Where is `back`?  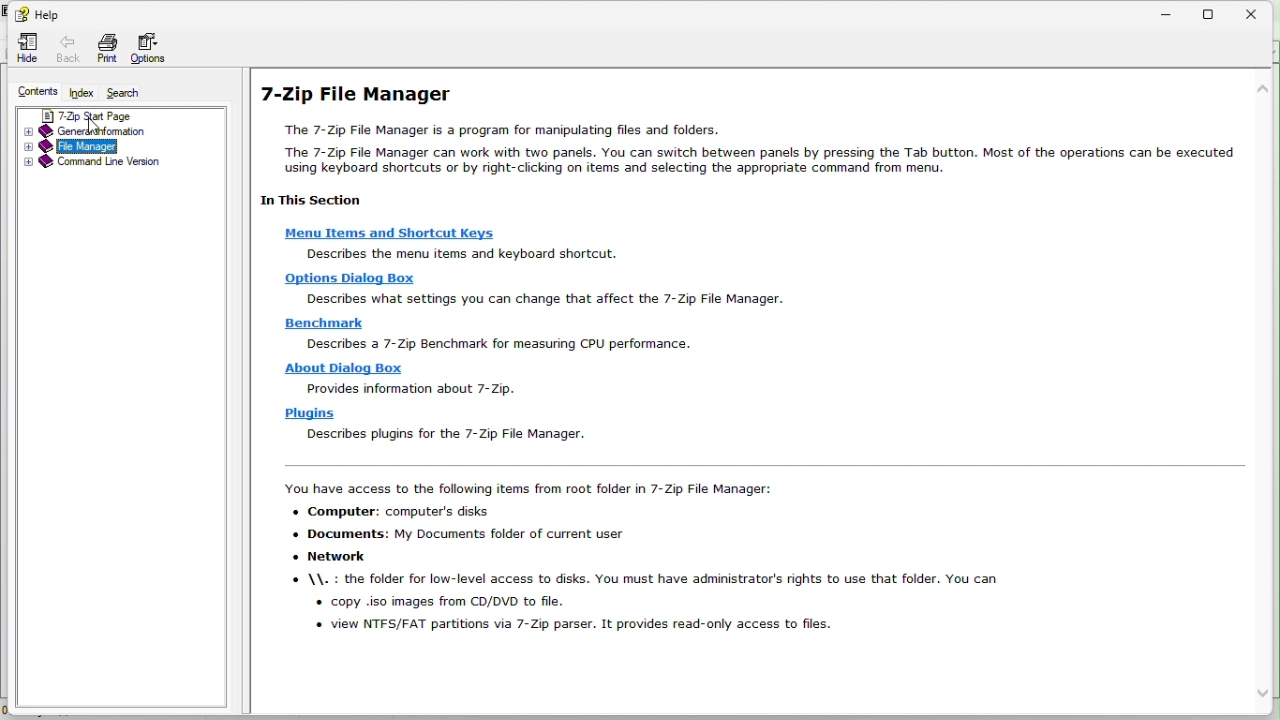 back is located at coordinates (64, 51).